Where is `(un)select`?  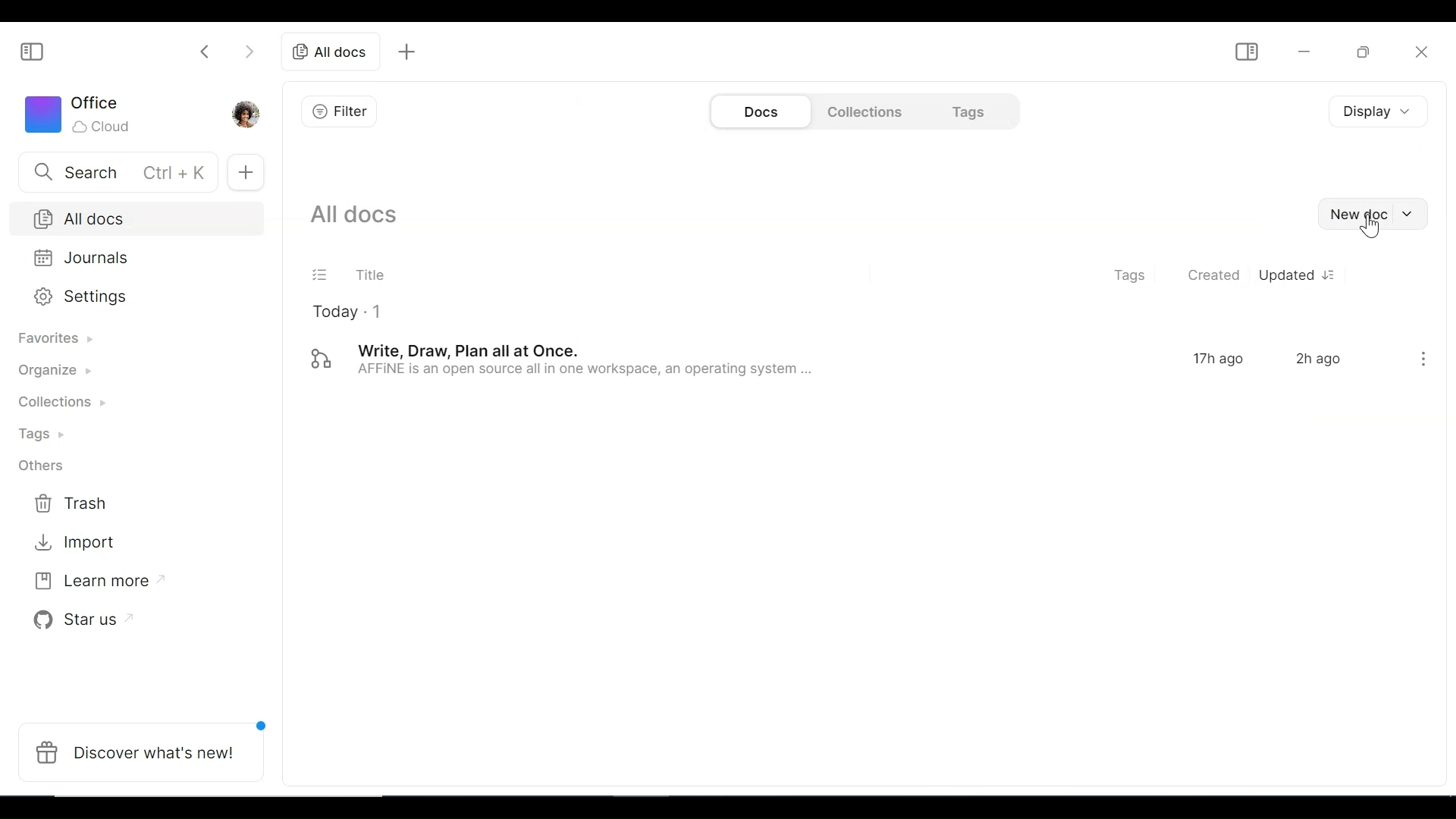
(un)select is located at coordinates (320, 275).